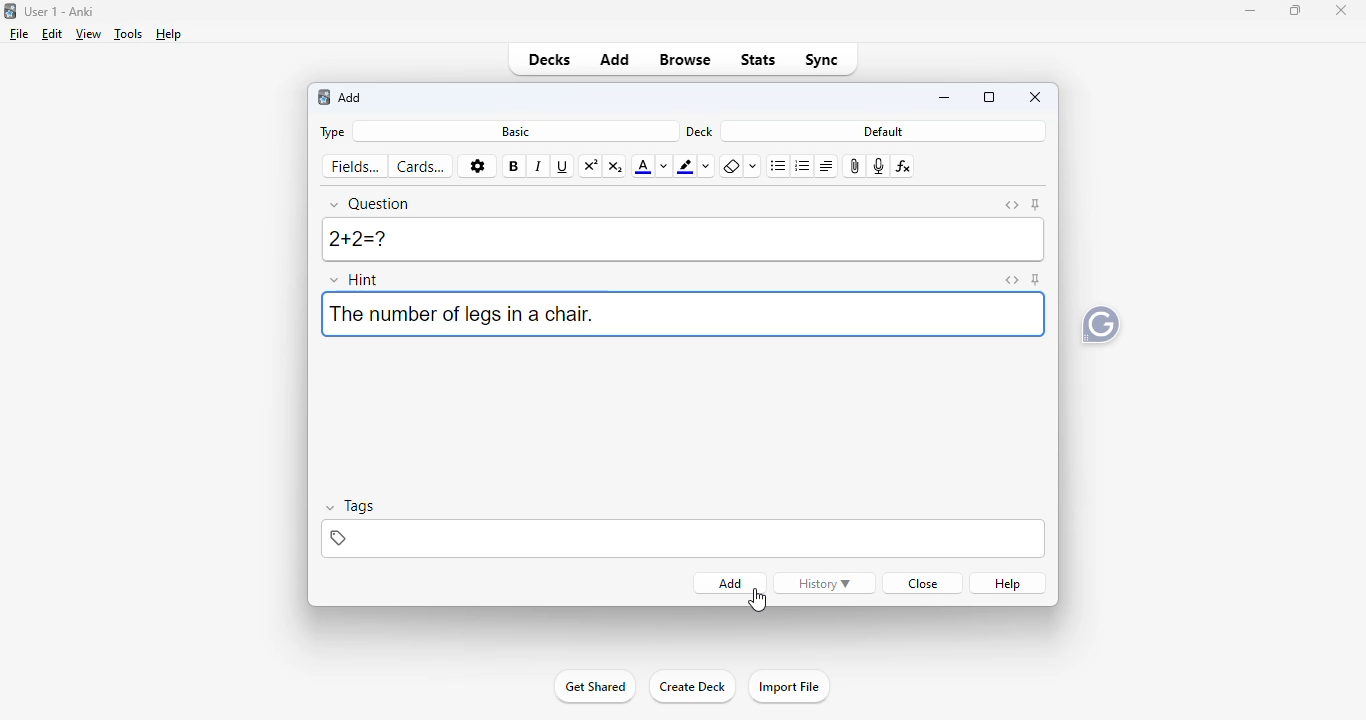  I want to click on select formatting to remove, so click(754, 167).